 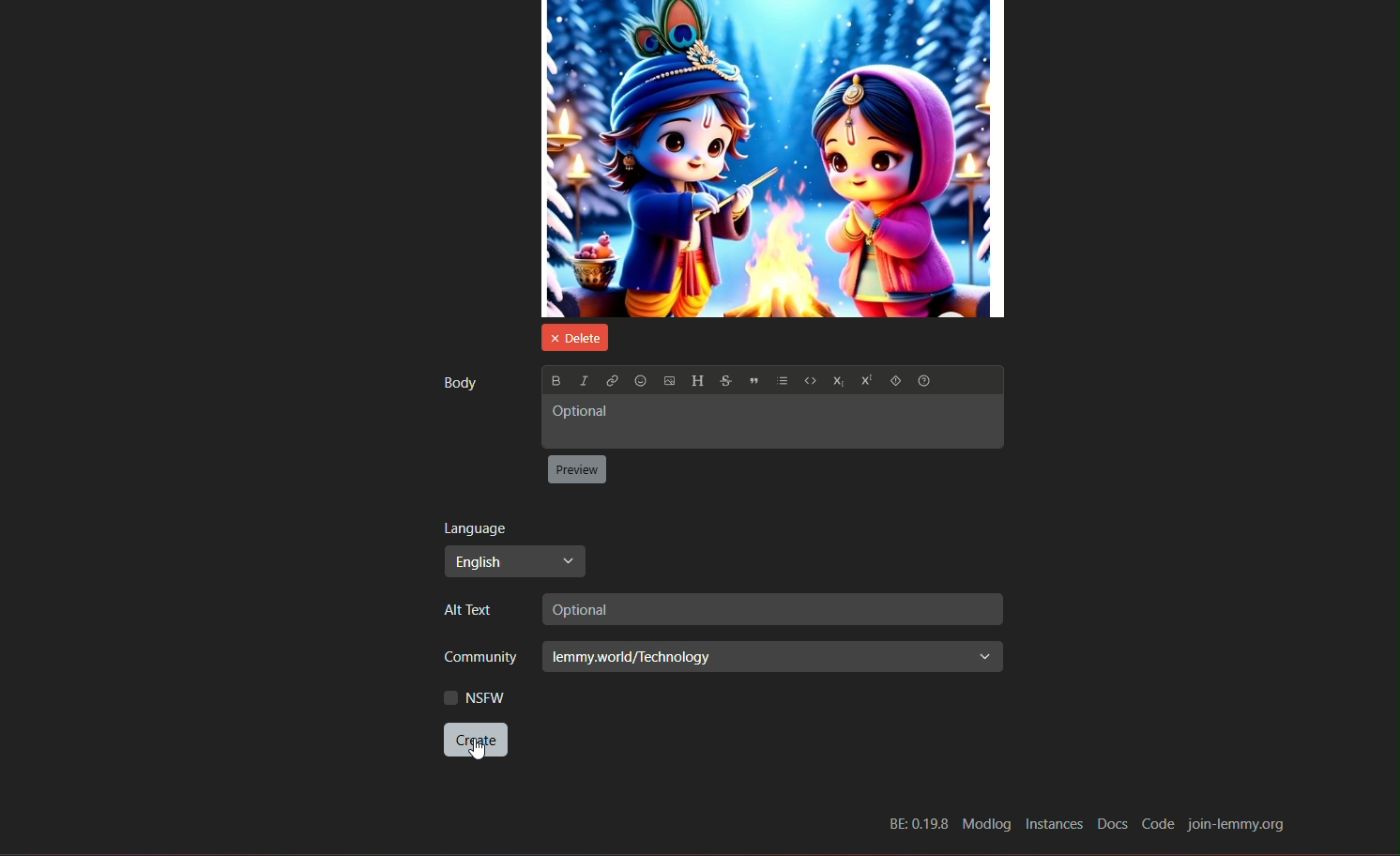 I want to click on Preview, so click(x=578, y=470).